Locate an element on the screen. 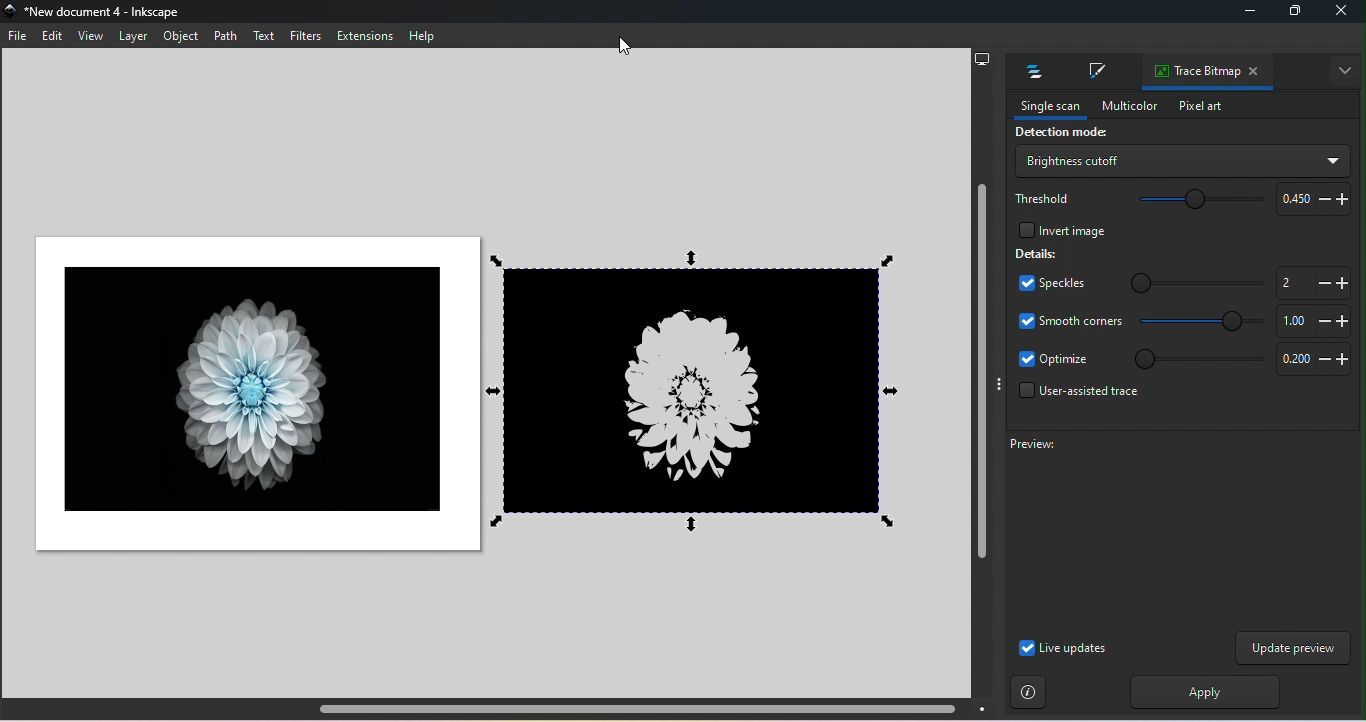  Pixel art is located at coordinates (1200, 107).